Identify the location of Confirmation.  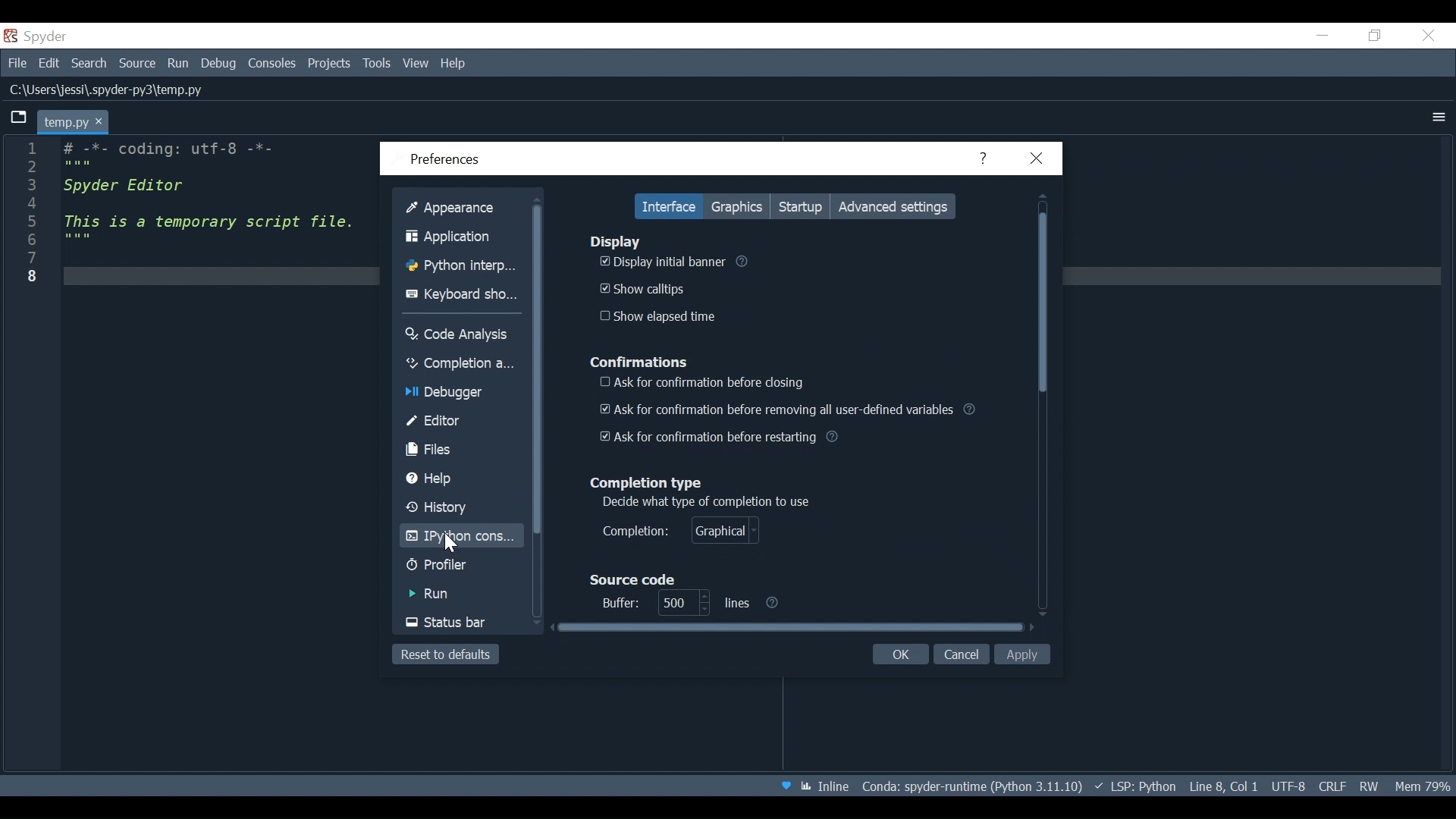
(639, 363).